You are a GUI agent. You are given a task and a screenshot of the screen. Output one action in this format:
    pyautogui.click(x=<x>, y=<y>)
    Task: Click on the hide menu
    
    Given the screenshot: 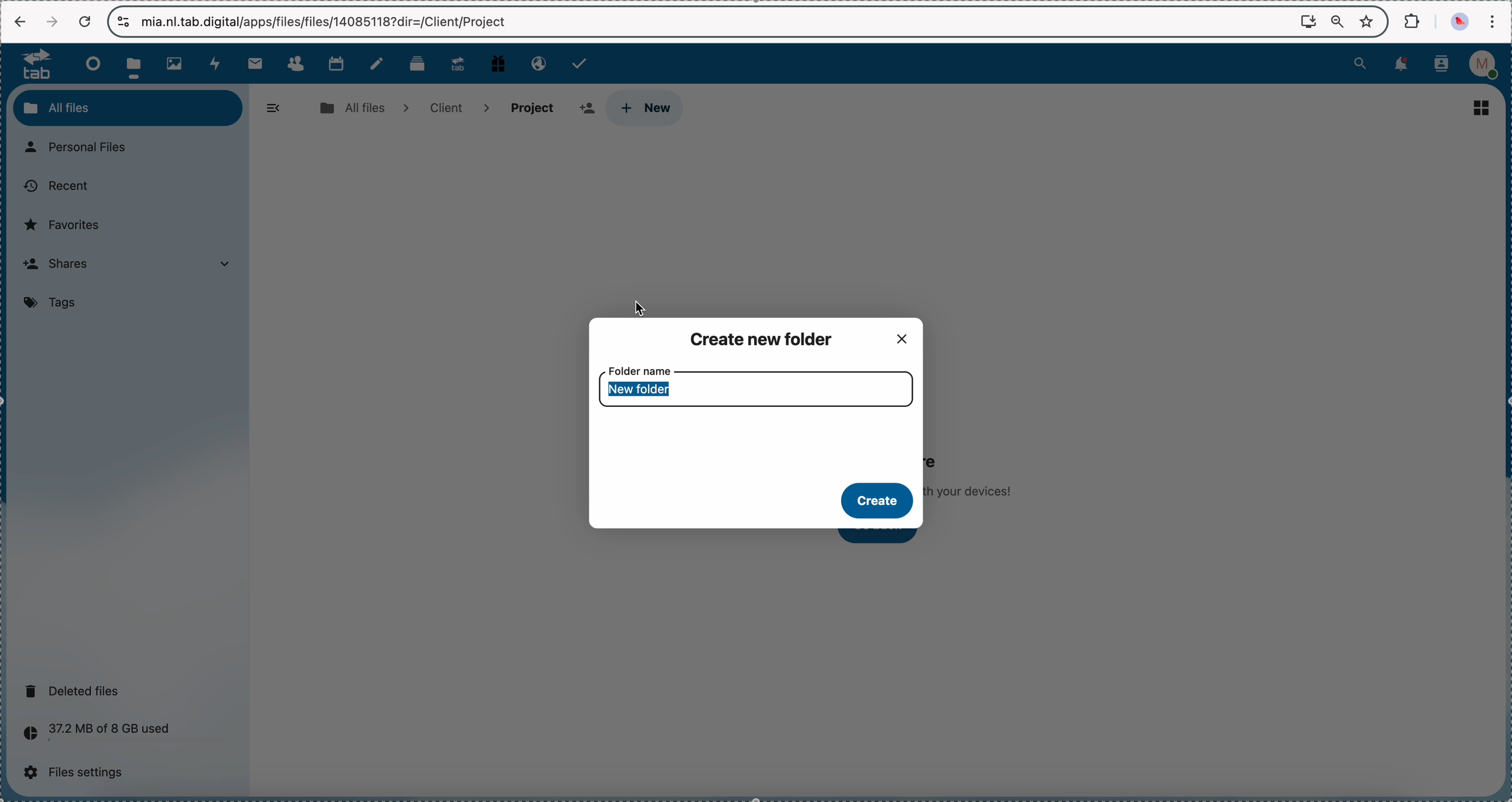 What is the action you would take?
    pyautogui.click(x=274, y=109)
    